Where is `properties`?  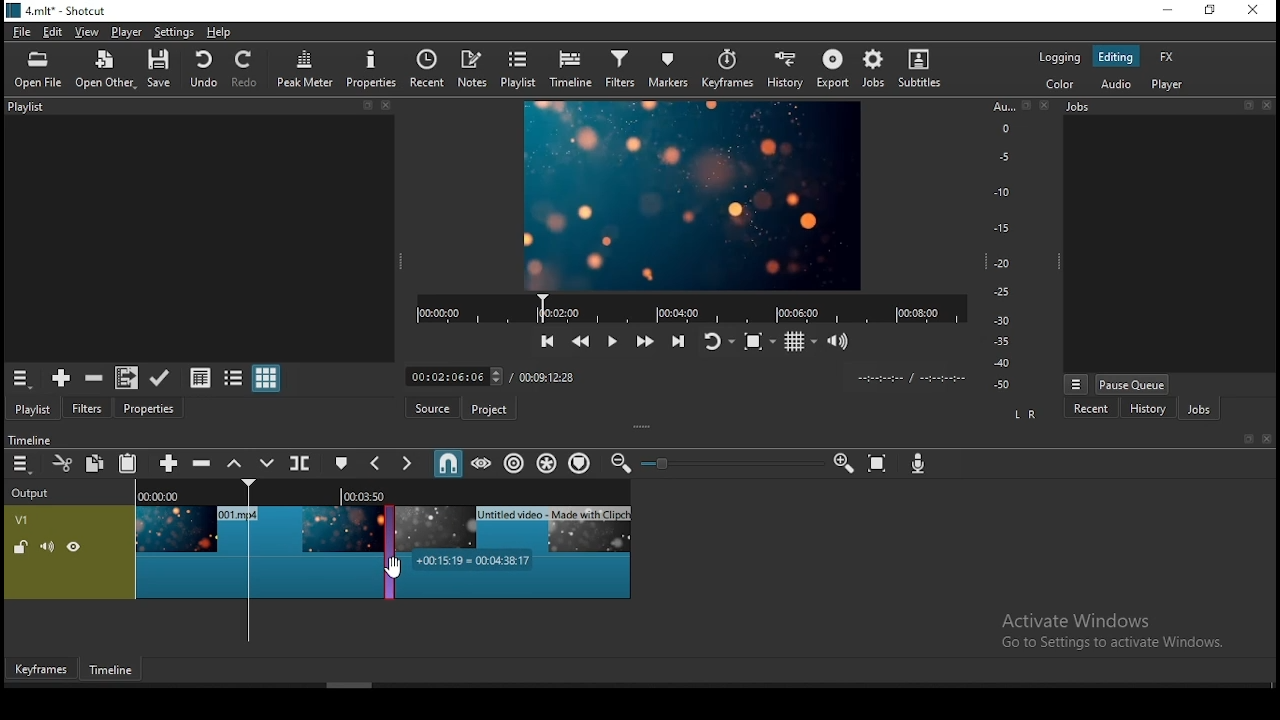 properties is located at coordinates (371, 68).